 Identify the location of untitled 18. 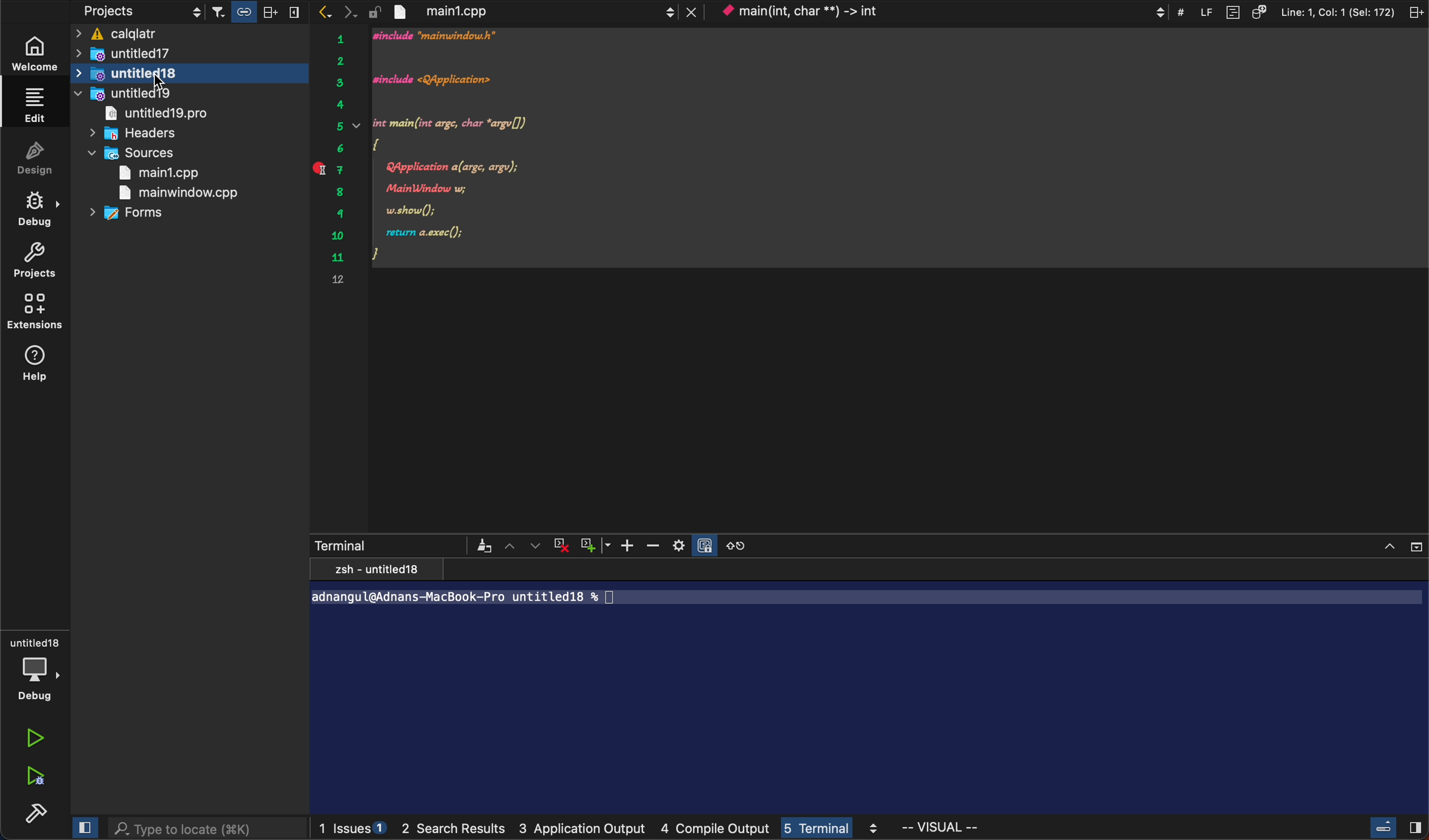
(184, 74).